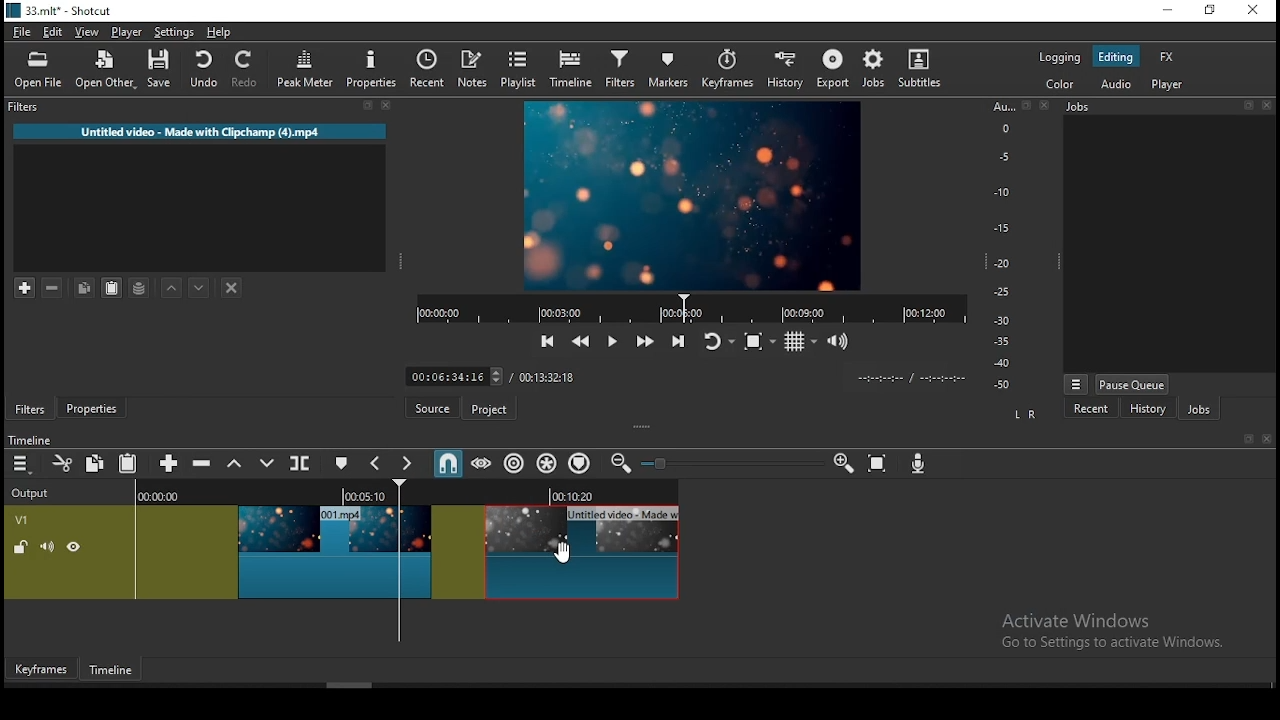  Describe the element at coordinates (204, 463) in the screenshot. I see `ripple delete` at that location.